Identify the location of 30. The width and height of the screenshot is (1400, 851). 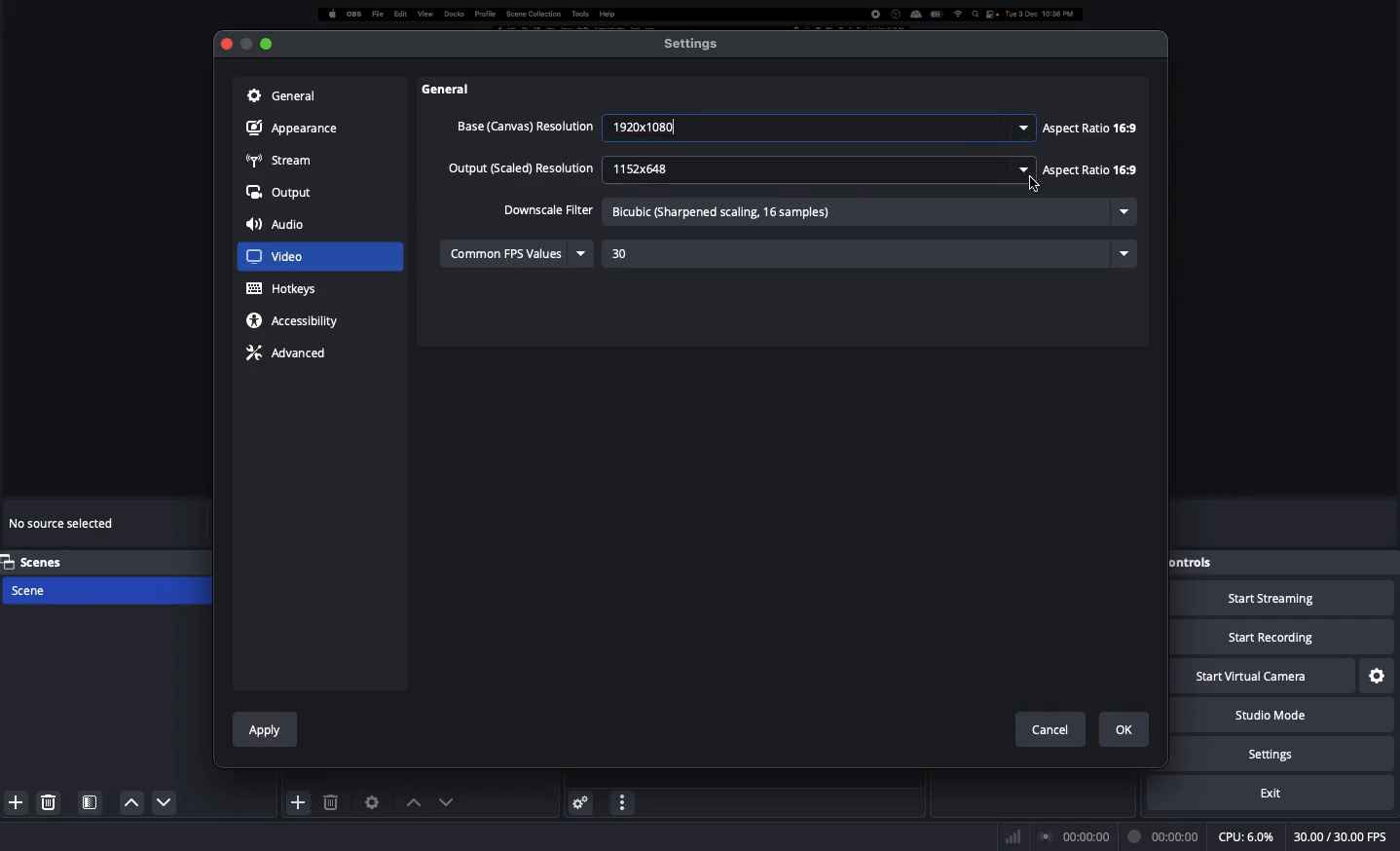
(869, 252).